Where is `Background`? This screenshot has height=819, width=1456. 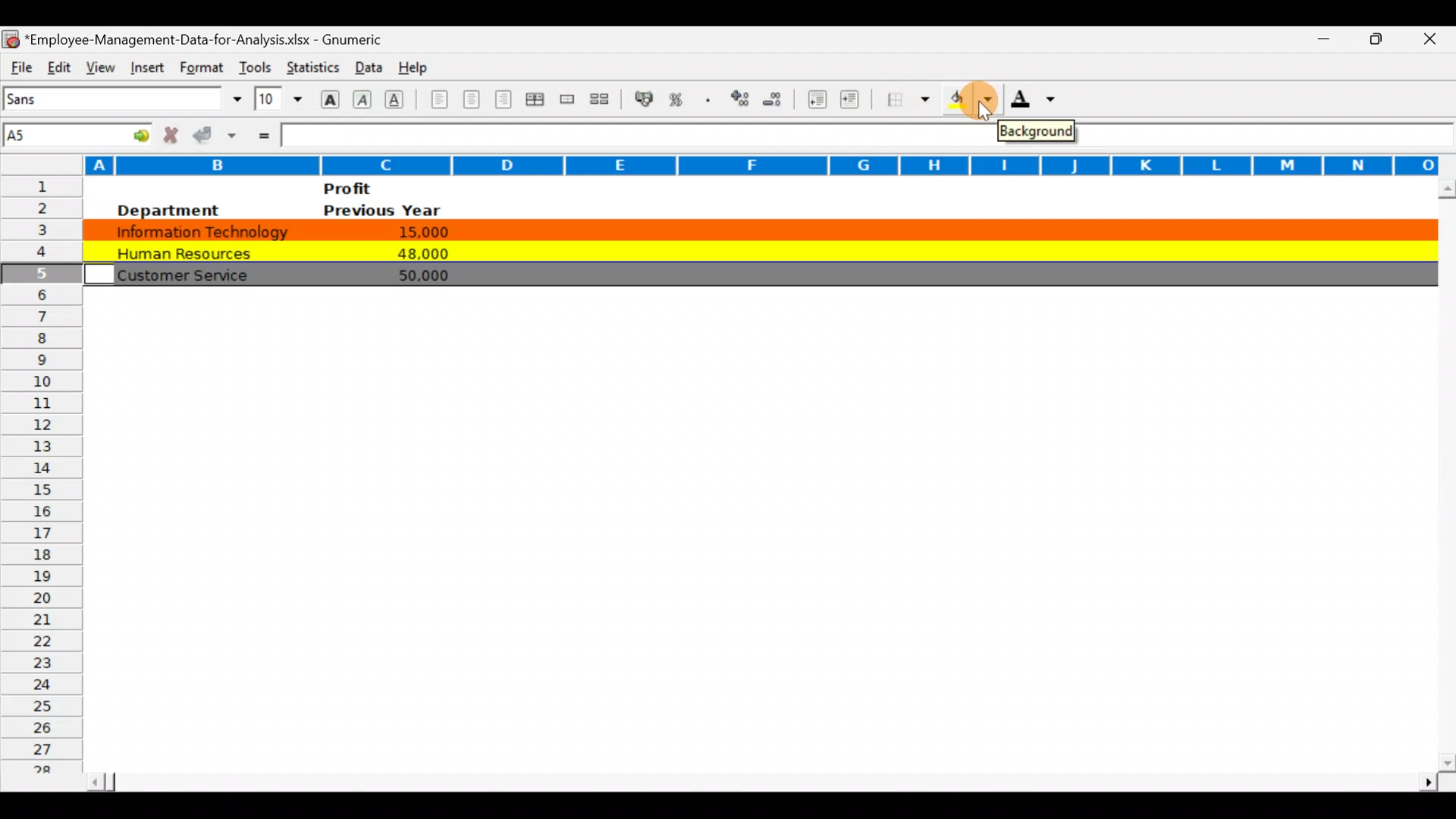
Background is located at coordinates (1037, 133).